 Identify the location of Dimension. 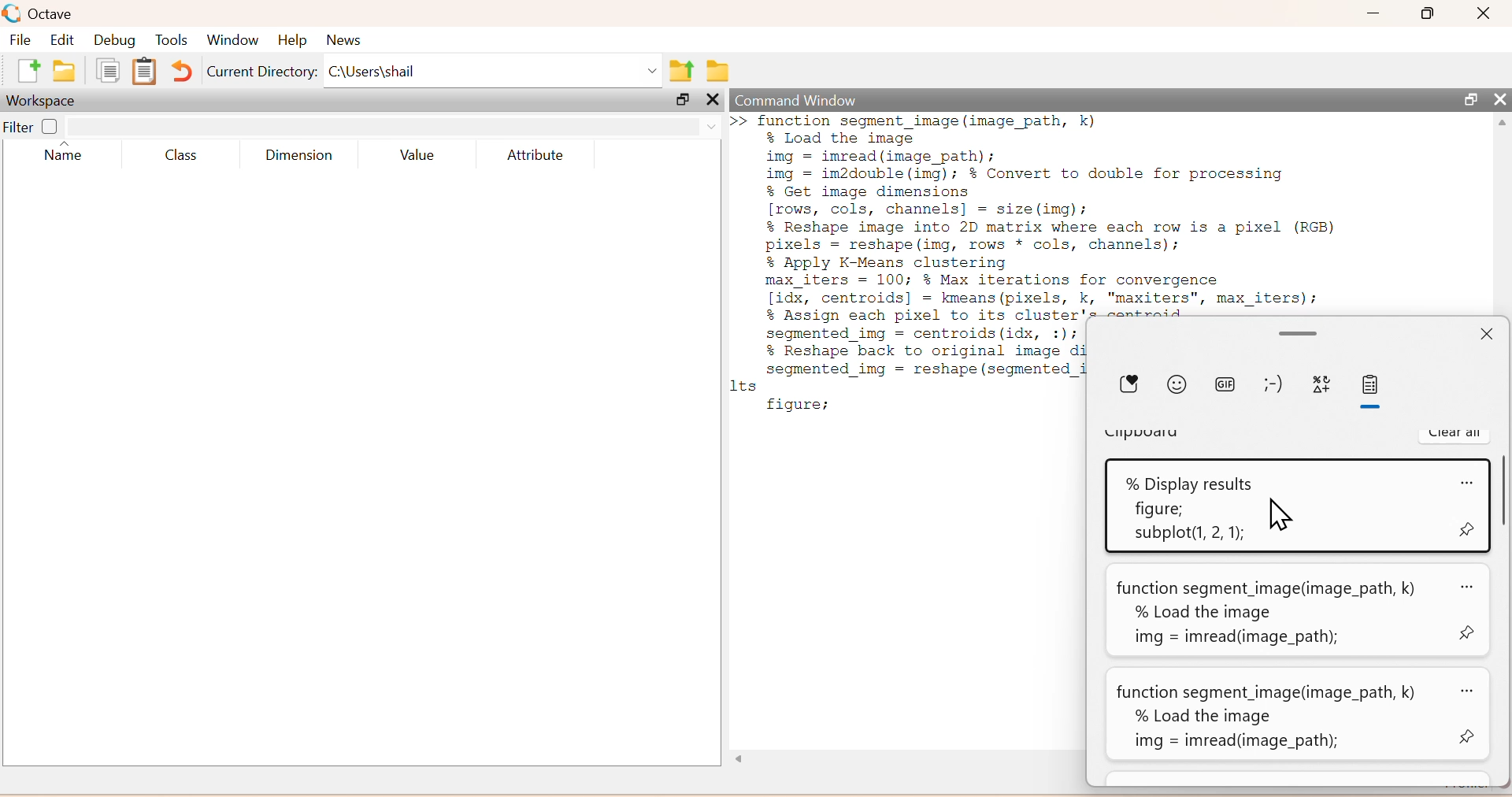
(305, 155).